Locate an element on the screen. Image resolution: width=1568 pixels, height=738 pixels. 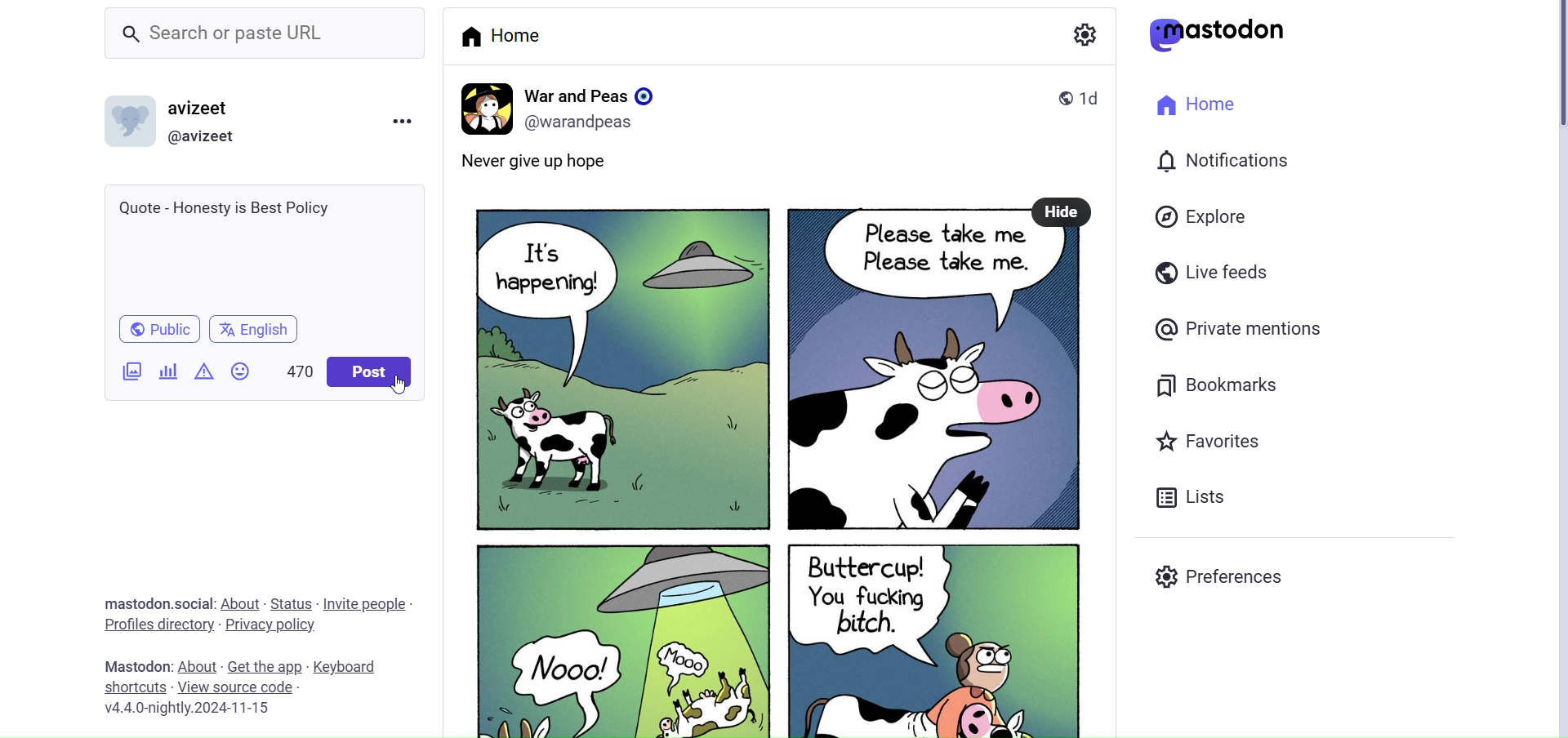
Privacy Policy is located at coordinates (272, 625).